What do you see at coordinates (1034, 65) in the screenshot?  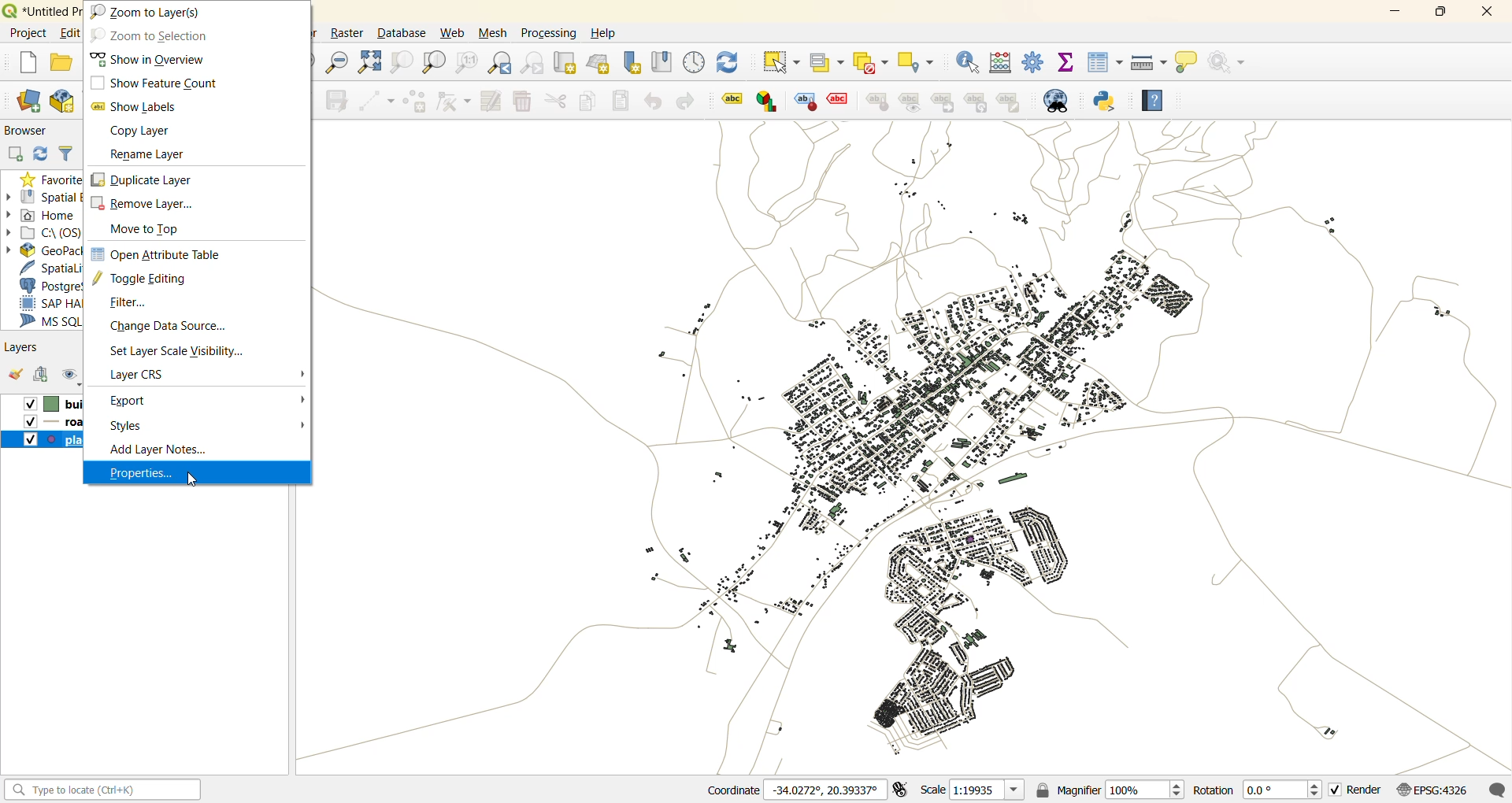 I see `toolbox` at bounding box center [1034, 65].